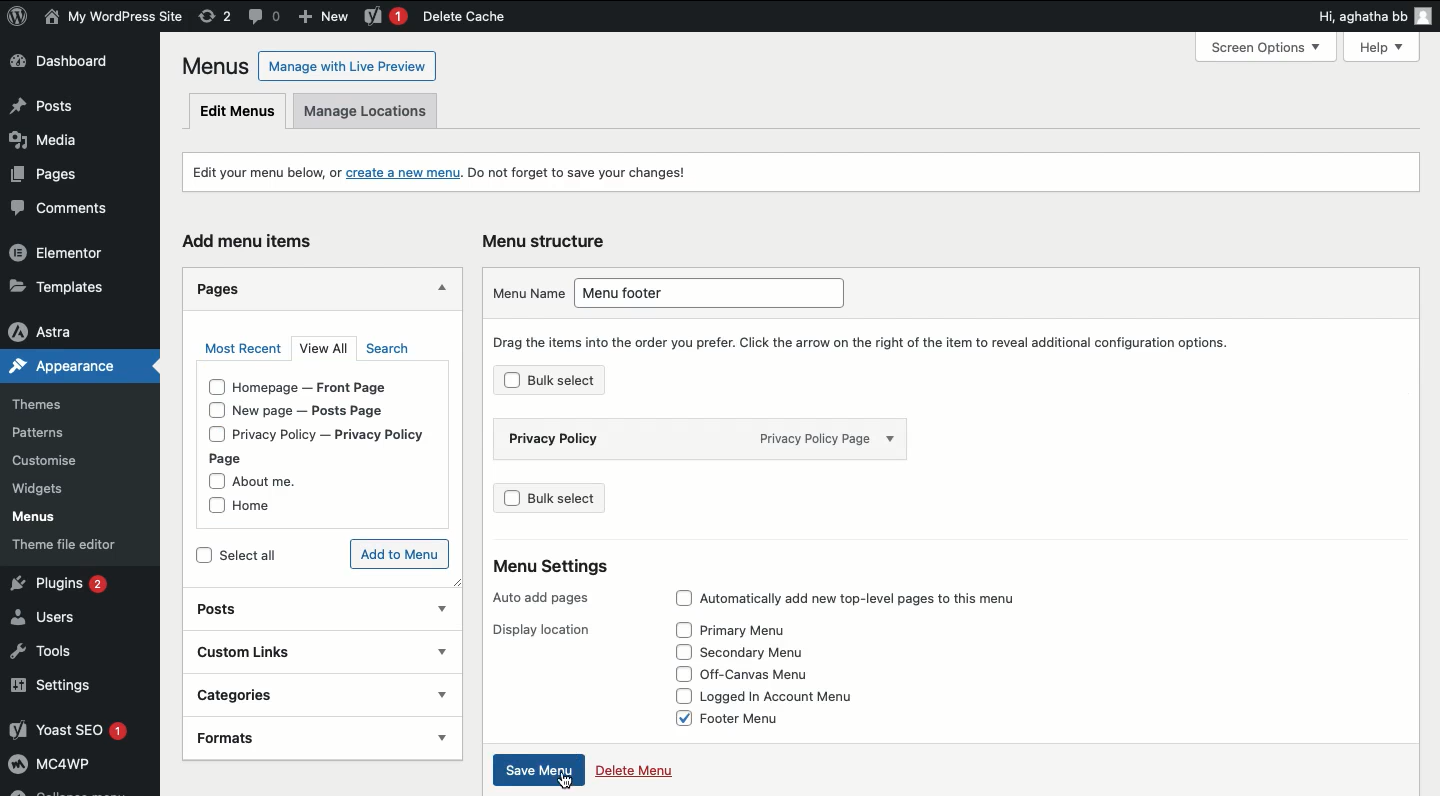  Describe the element at coordinates (213, 388) in the screenshot. I see `checkbox` at that location.